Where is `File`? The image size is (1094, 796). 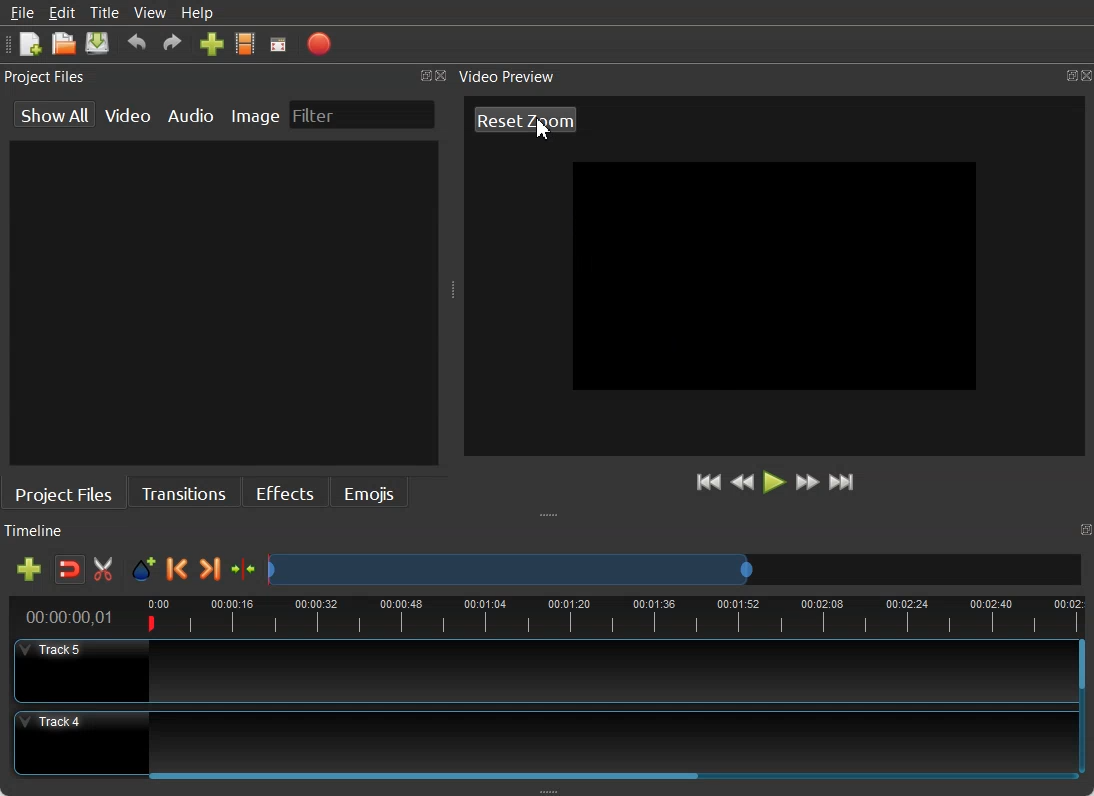 File is located at coordinates (23, 13).